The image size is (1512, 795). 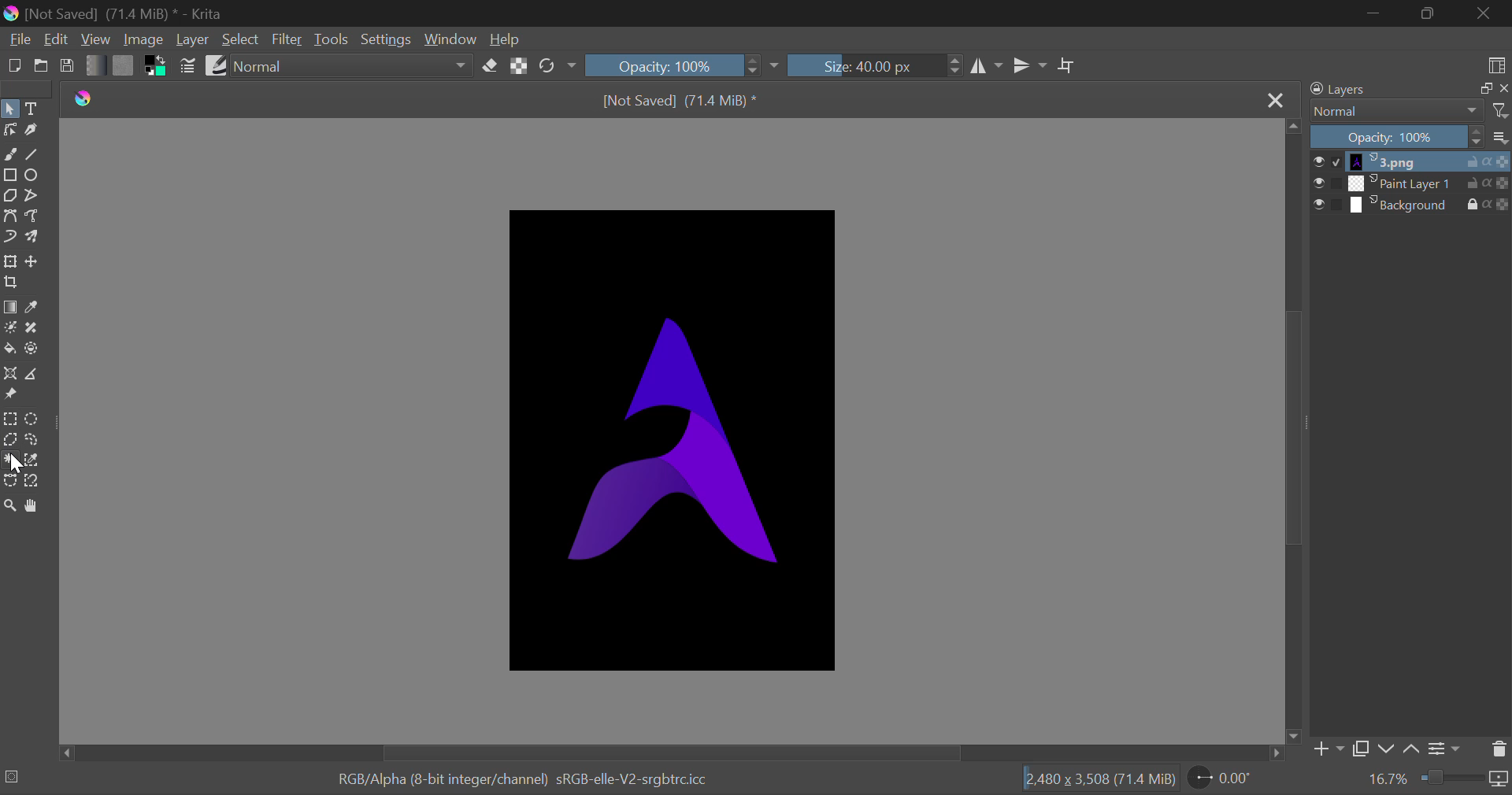 I want to click on Rectangle, so click(x=13, y=175).